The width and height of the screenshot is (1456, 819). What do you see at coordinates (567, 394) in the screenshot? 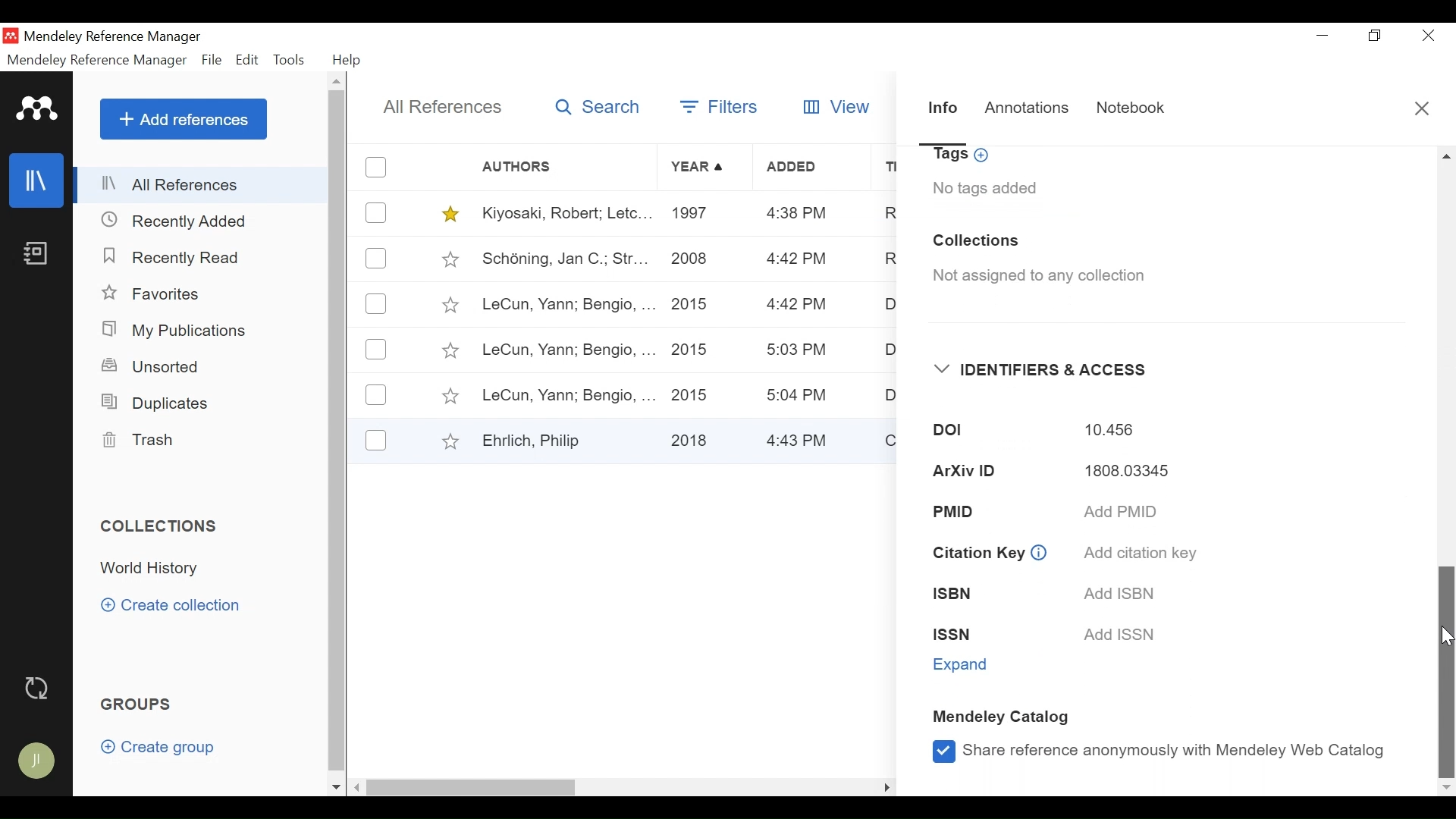
I see `LeCun, Yann; Bengio, ...` at bounding box center [567, 394].